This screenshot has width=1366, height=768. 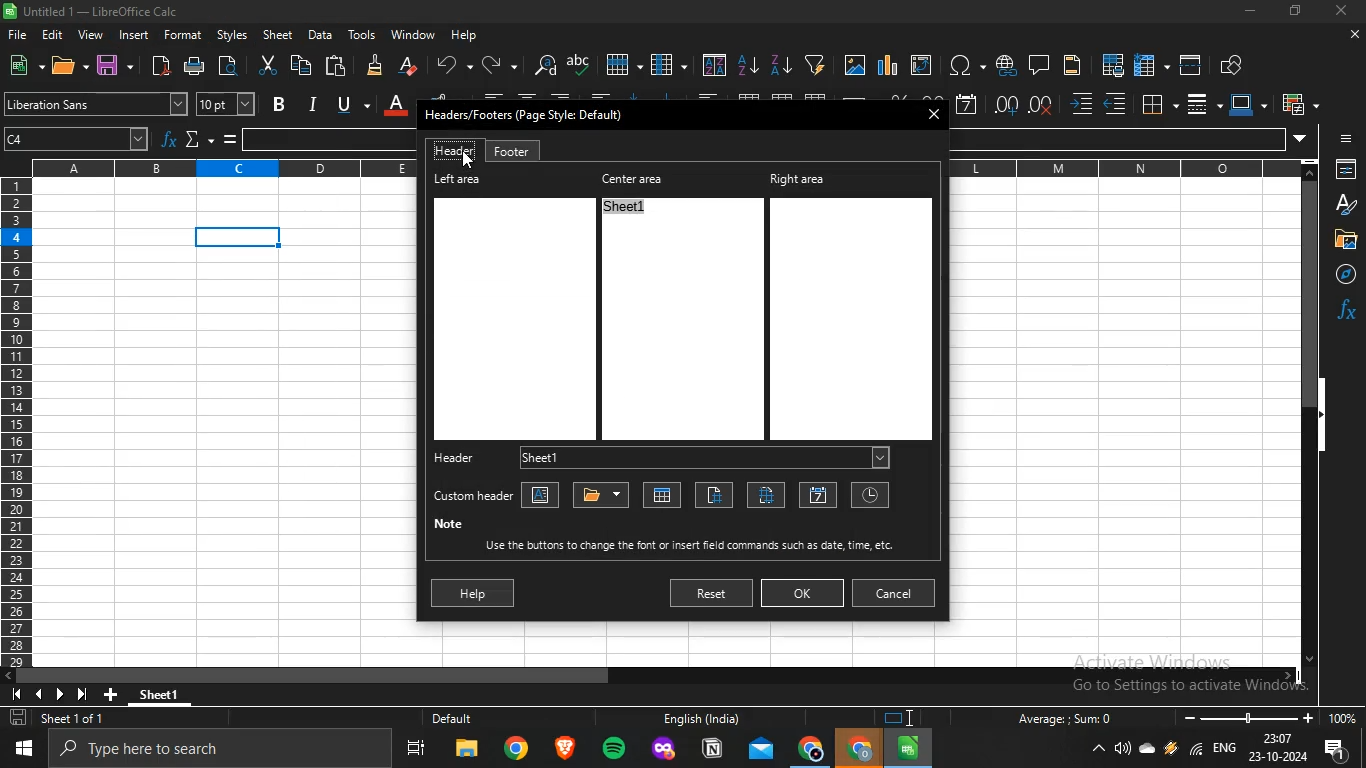 What do you see at coordinates (802, 594) in the screenshot?
I see `ok` at bounding box center [802, 594].